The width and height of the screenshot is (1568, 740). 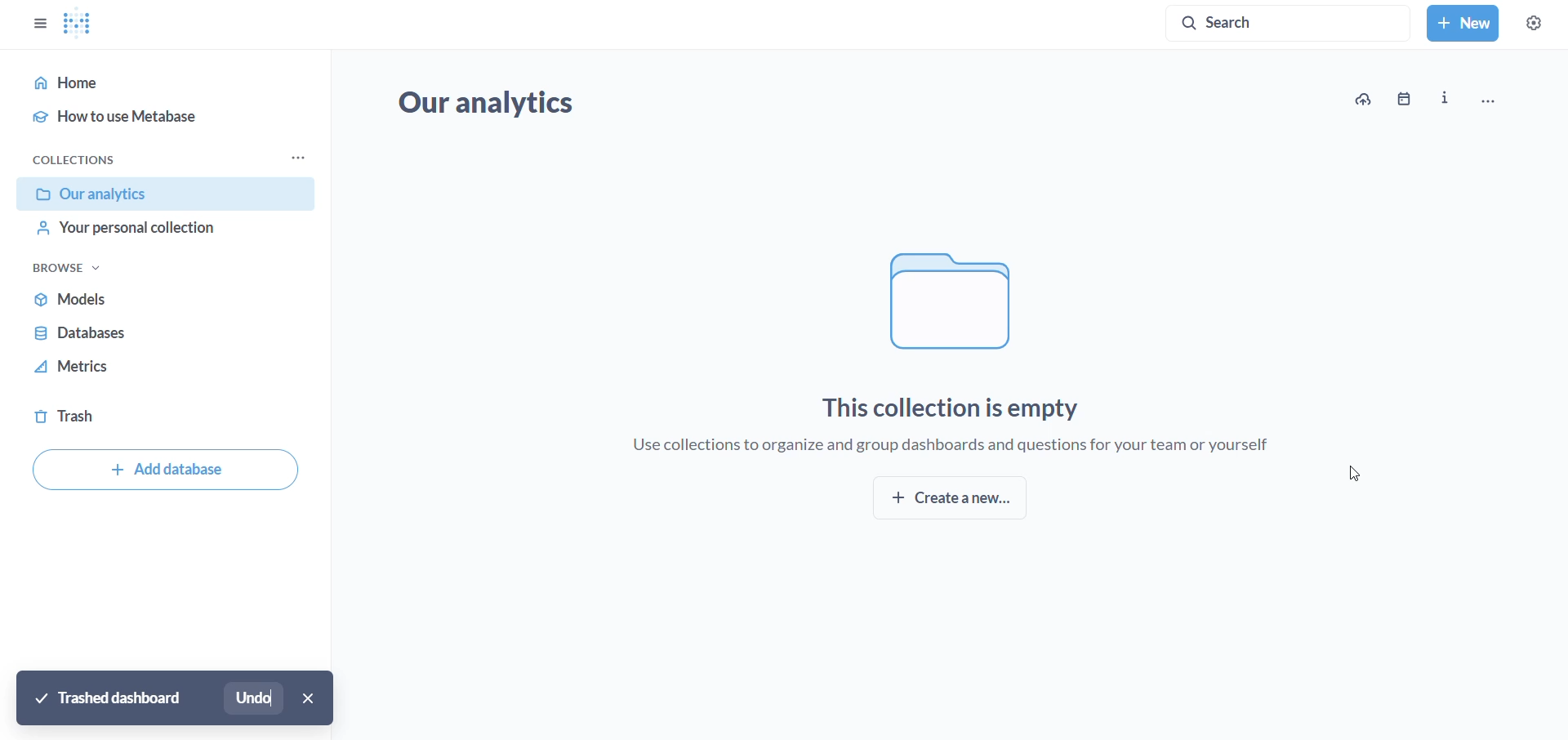 I want to click on databases, so click(x=158, y=339).